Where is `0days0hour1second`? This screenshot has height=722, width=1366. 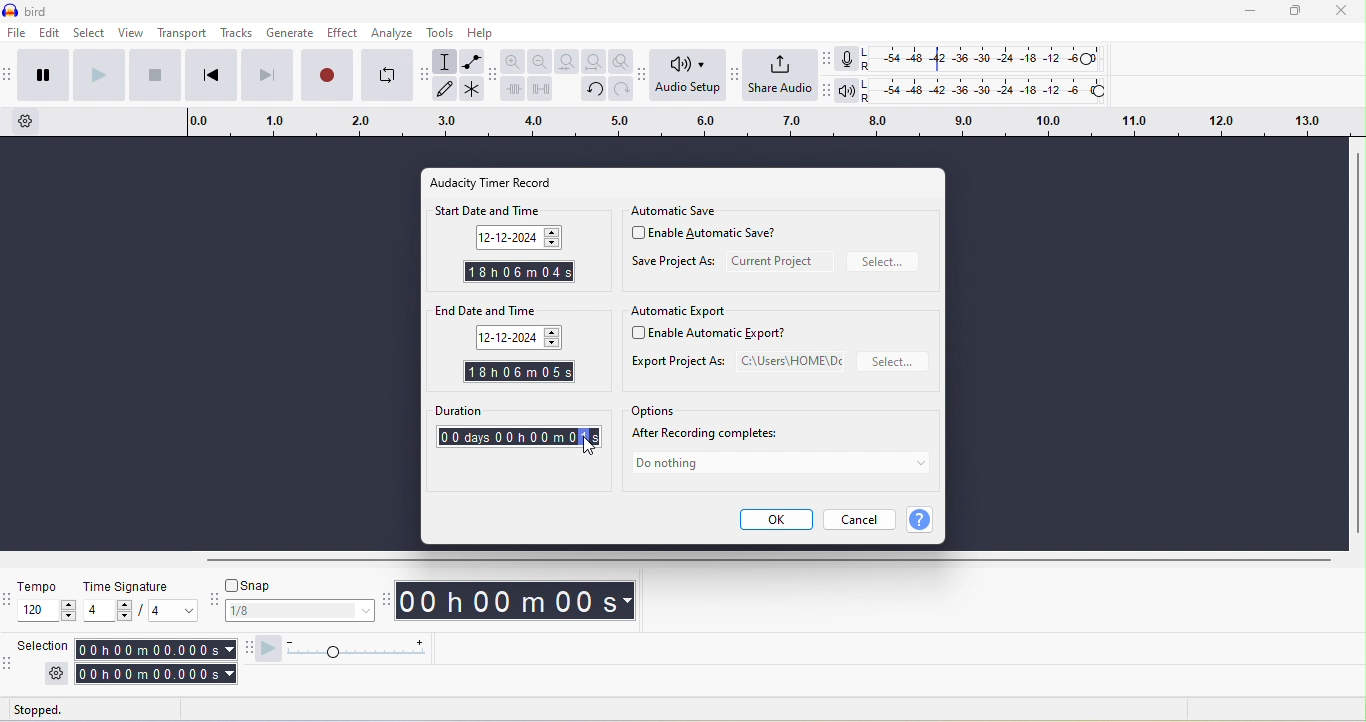 0days0hour1second is located at coordinates (512, 438).